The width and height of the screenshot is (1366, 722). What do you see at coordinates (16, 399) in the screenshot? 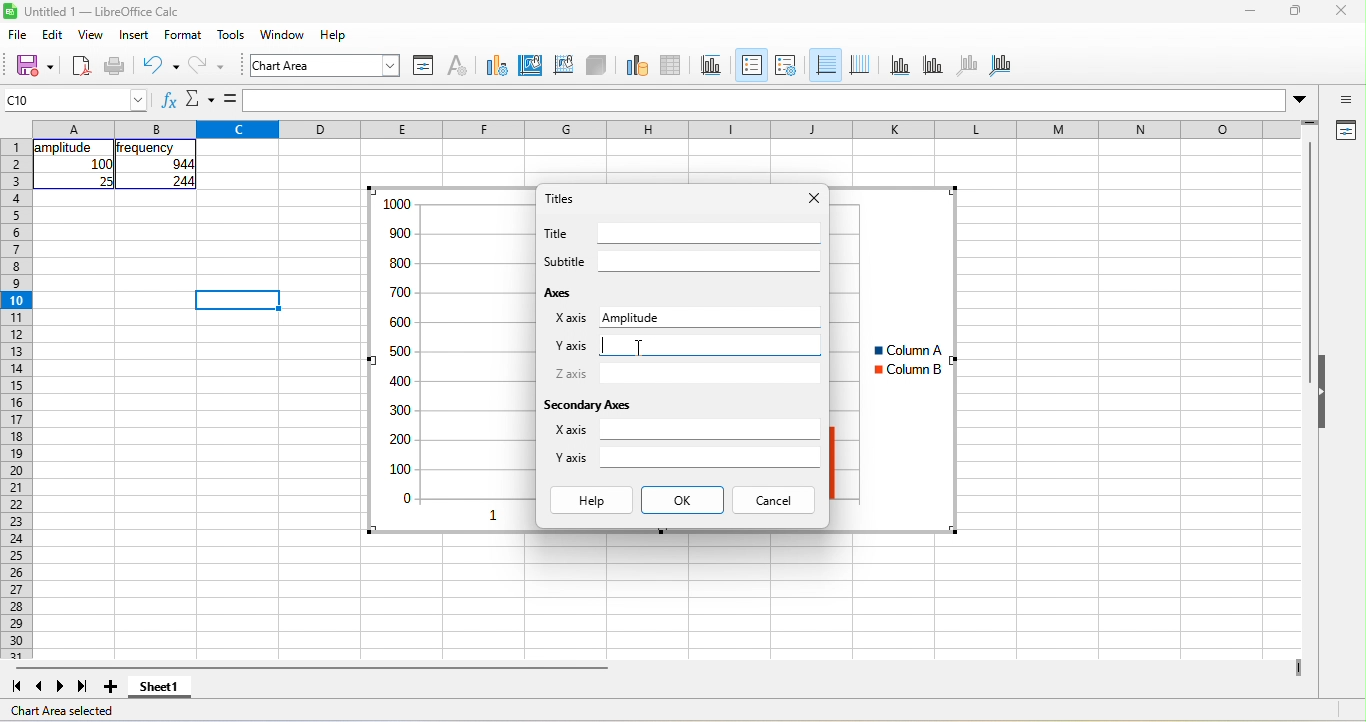
I see `rows` at bounding box center [16, 399].